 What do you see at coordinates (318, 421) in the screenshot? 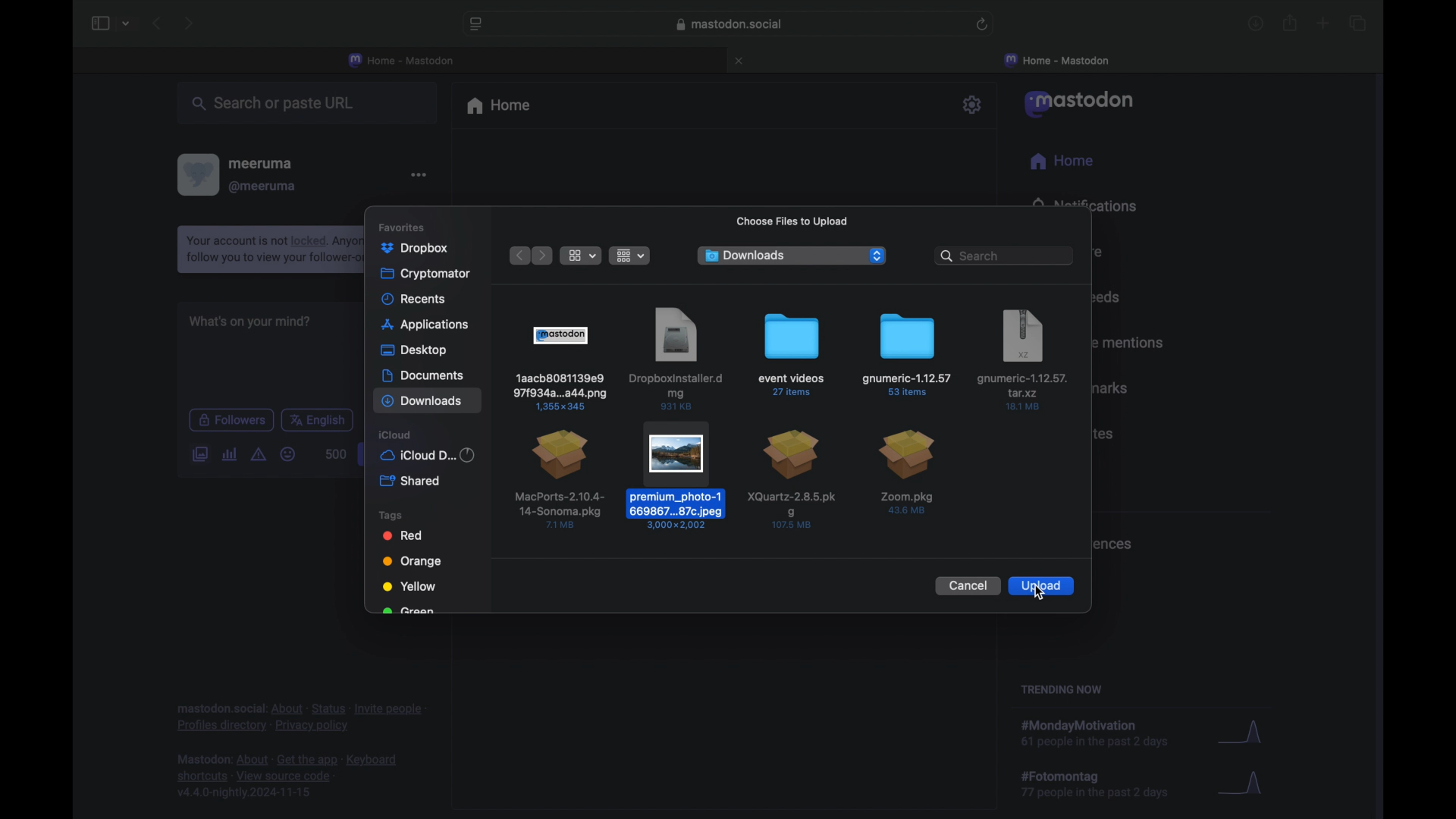
I see `english` at bounding box center [318, 421].